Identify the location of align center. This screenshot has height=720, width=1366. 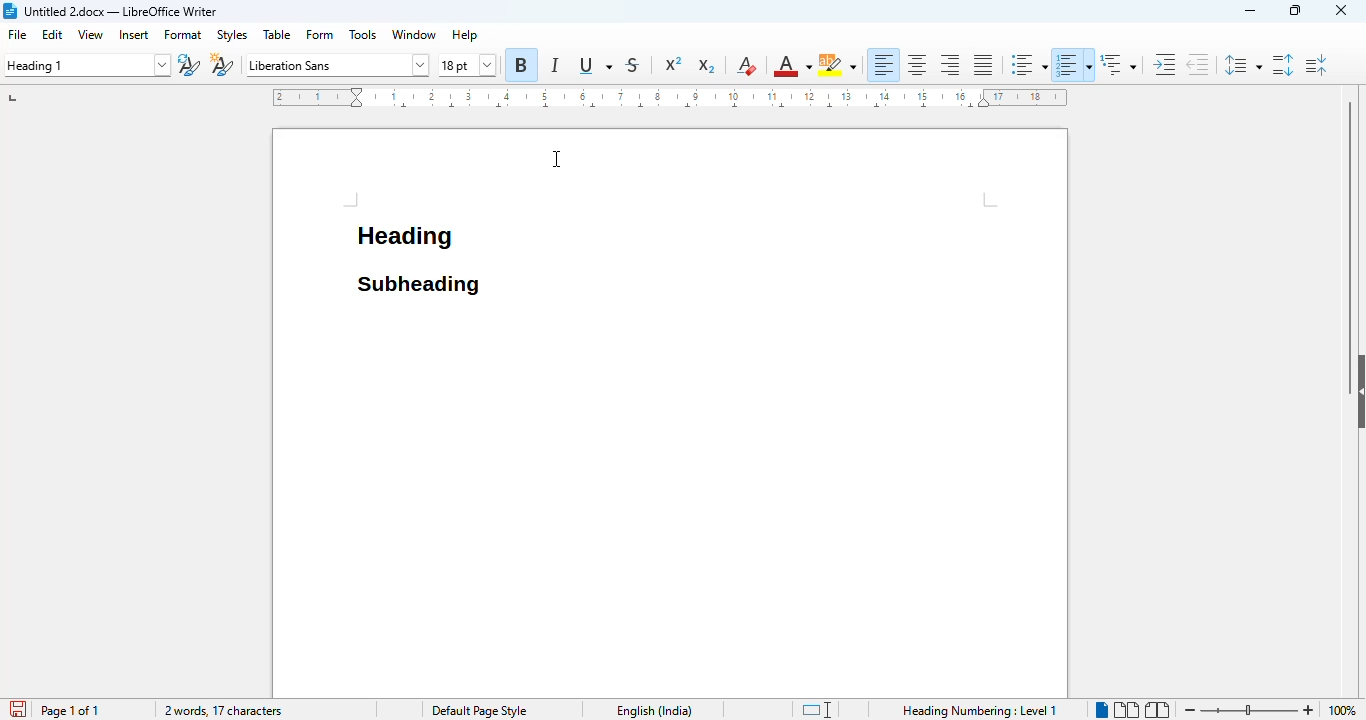
(917, 64).